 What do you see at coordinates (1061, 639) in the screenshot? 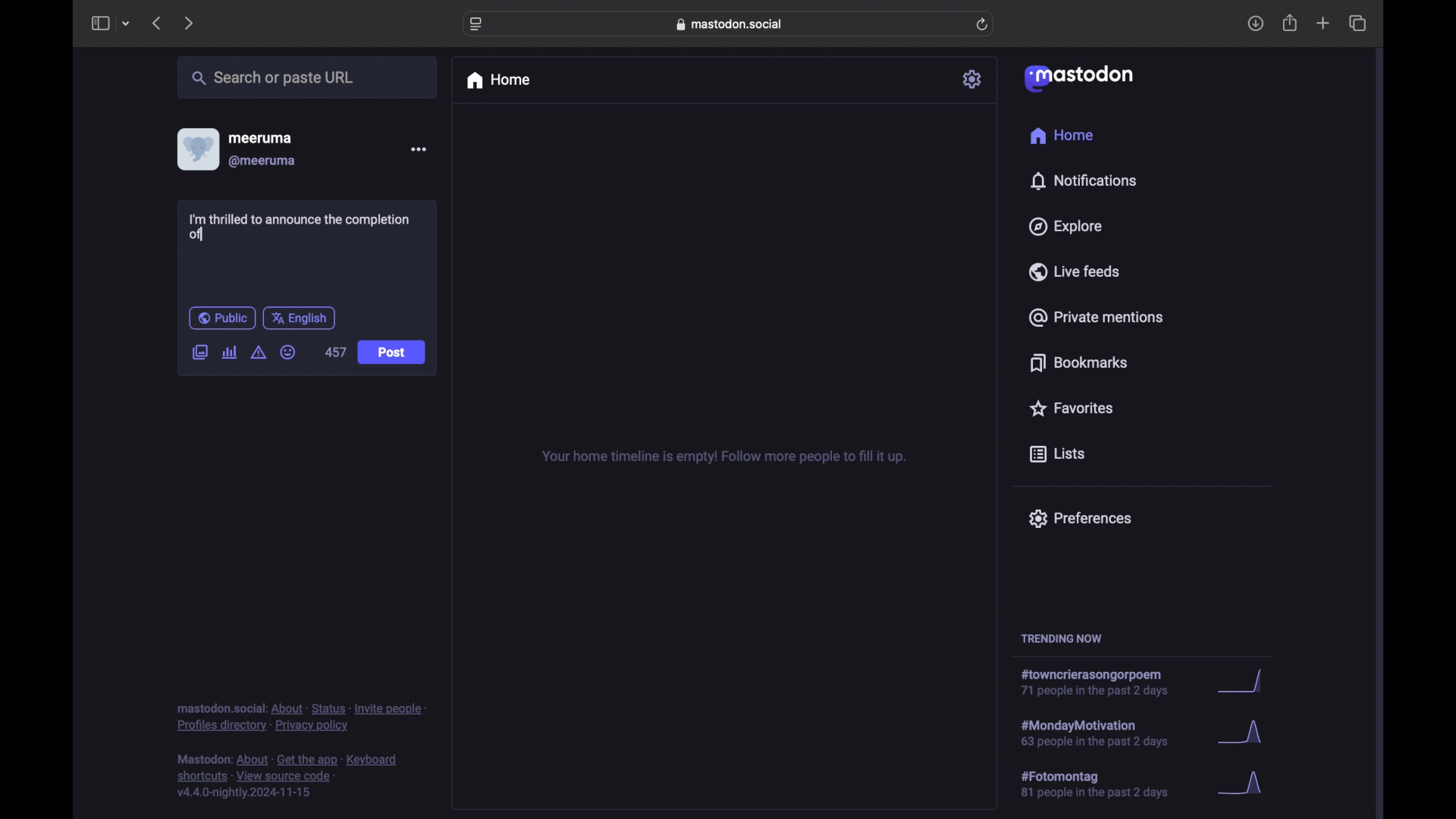
I see `trending now` at bounding box center [1061, 639].